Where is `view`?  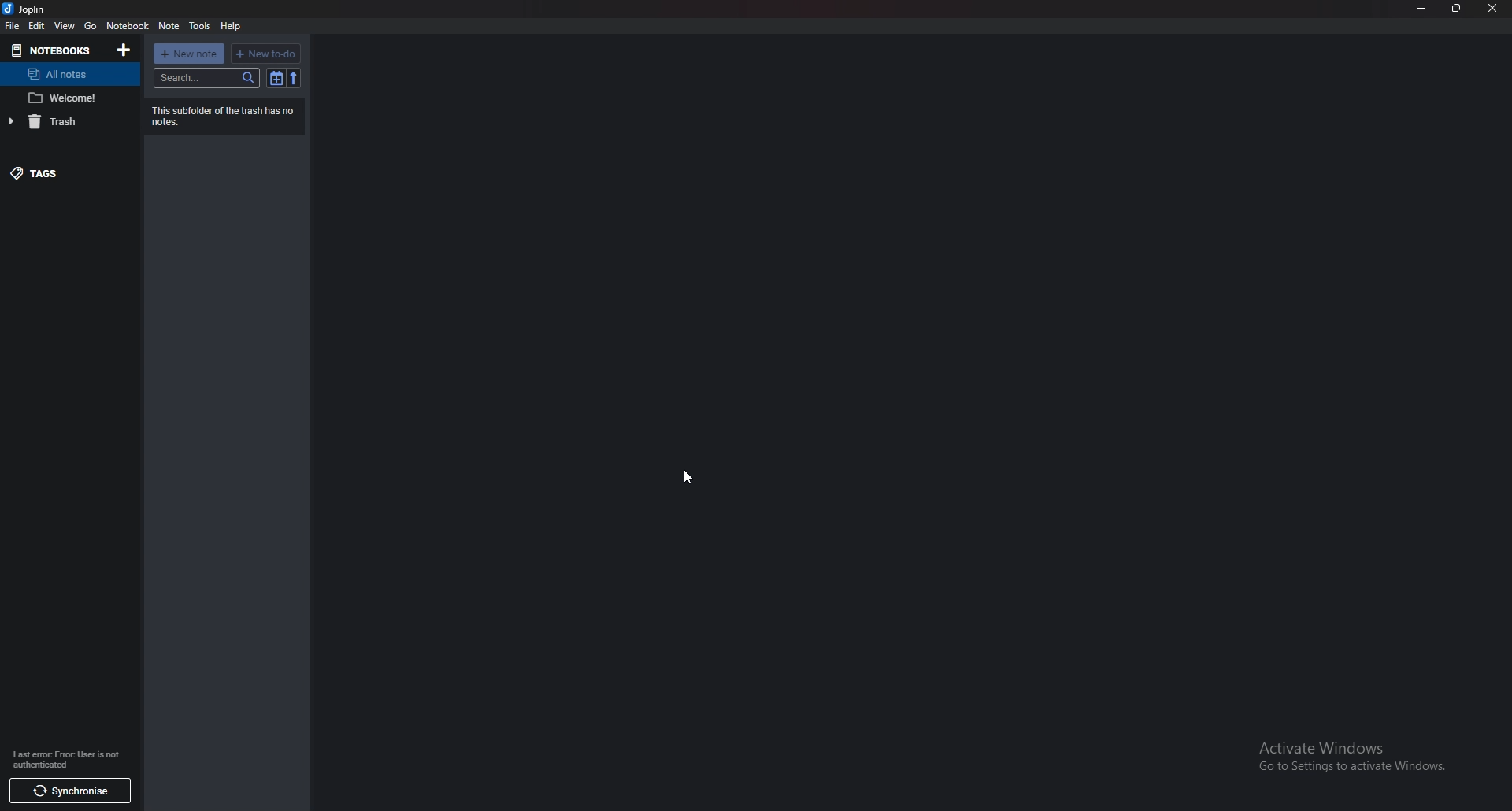 view is located at coordinates (65, 25).